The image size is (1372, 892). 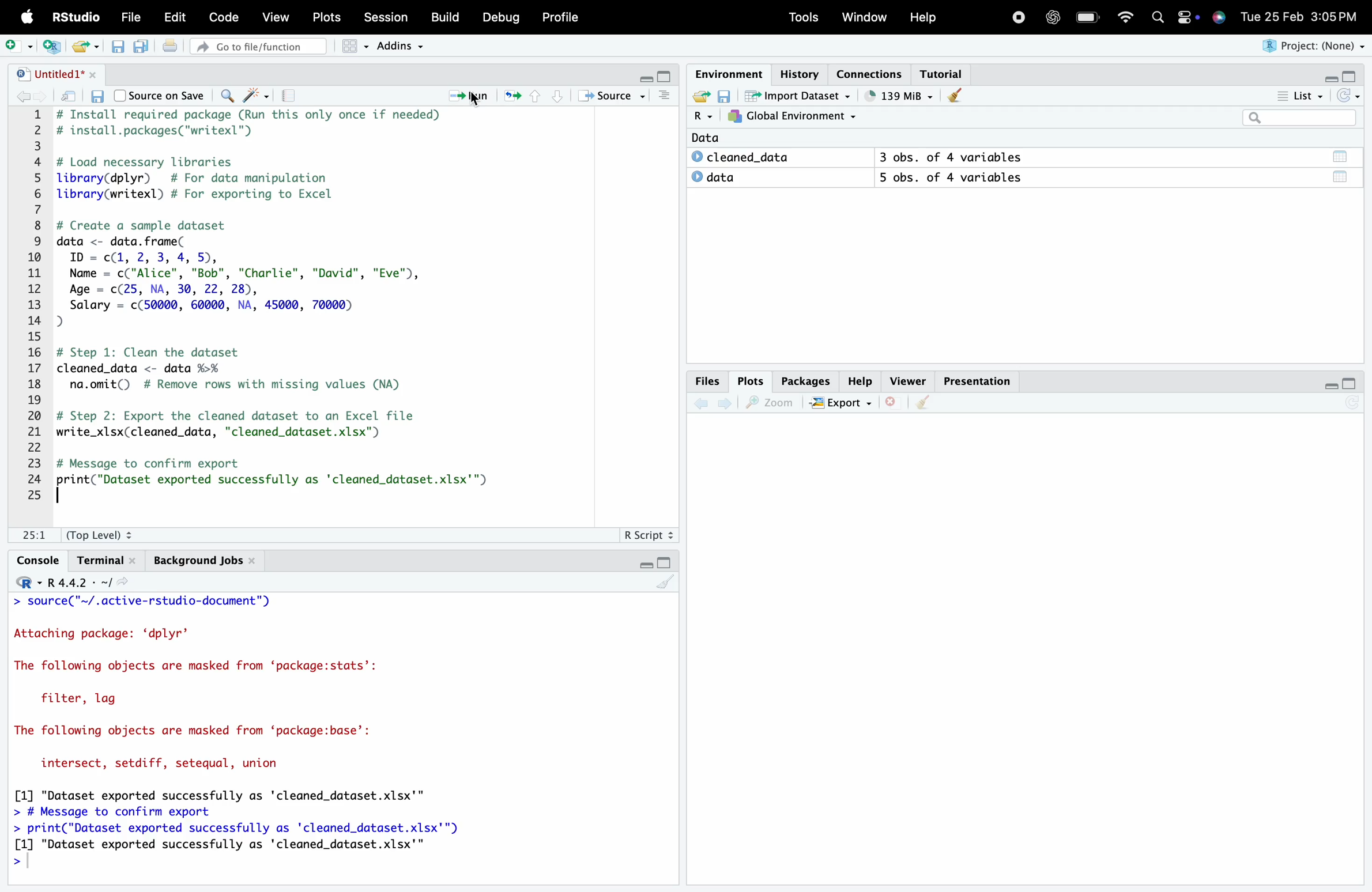 I want to click on Show document outline (Ctrl + Shift + O), so click(x=665, y=96).